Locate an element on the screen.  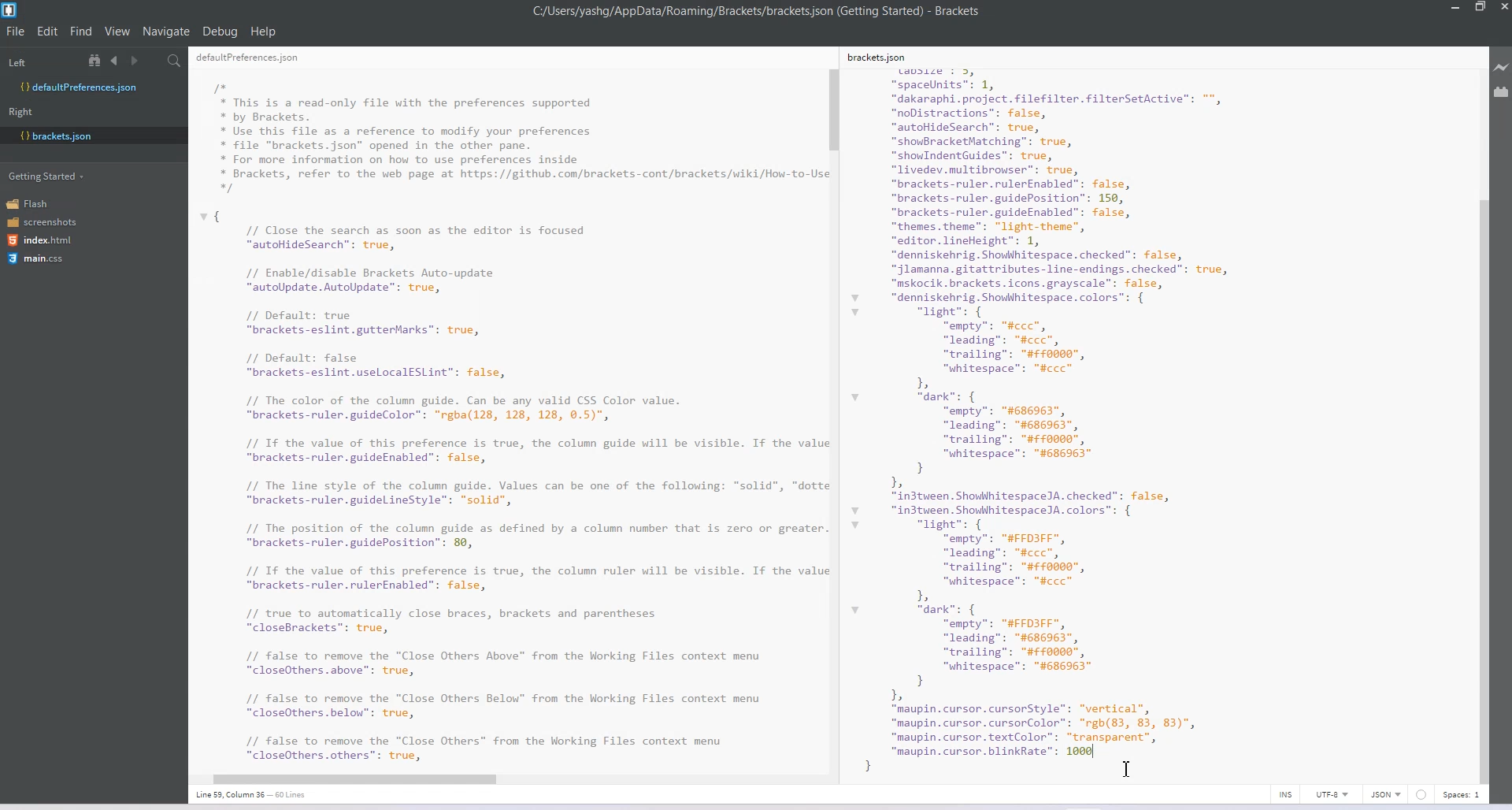
Flash is located at coordinates (33, 203).